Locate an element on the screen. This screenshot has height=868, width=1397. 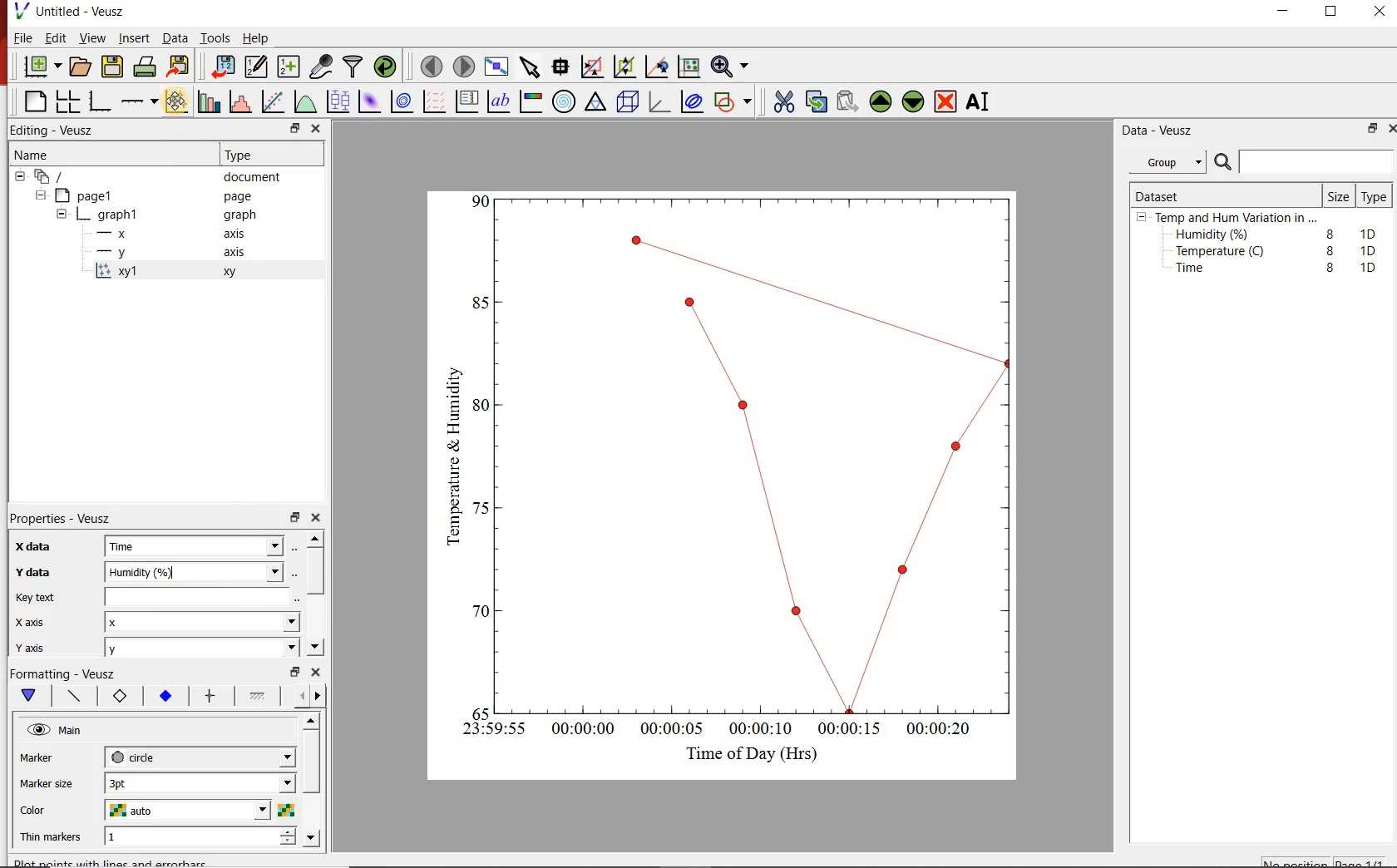
error bar line is located at coordinates (210, 695).